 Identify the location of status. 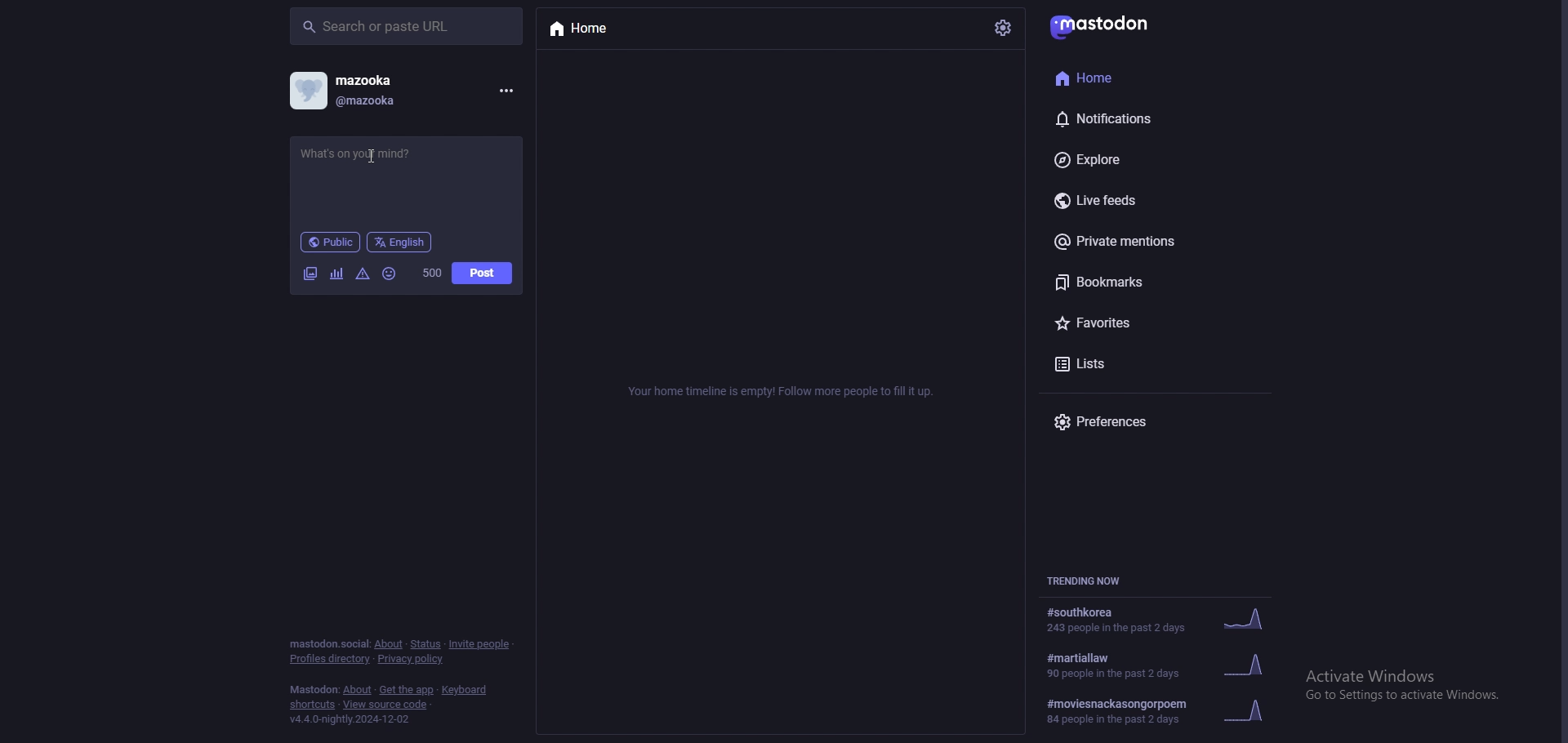
(425, 644).